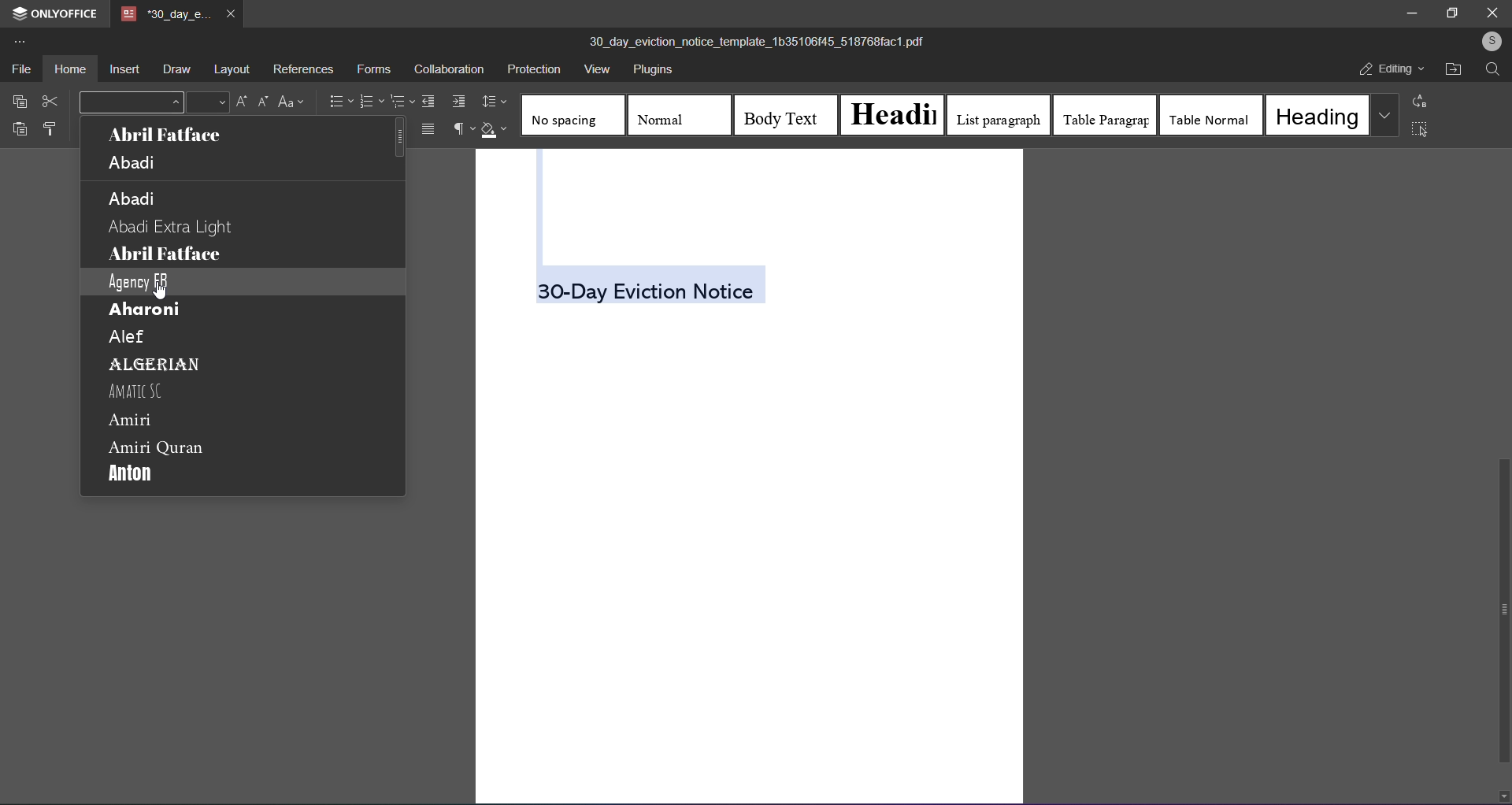  What do you see at coordinates (135, 393) in the screenshot?
I see `amatic sc` at bounding box center [135, 393].